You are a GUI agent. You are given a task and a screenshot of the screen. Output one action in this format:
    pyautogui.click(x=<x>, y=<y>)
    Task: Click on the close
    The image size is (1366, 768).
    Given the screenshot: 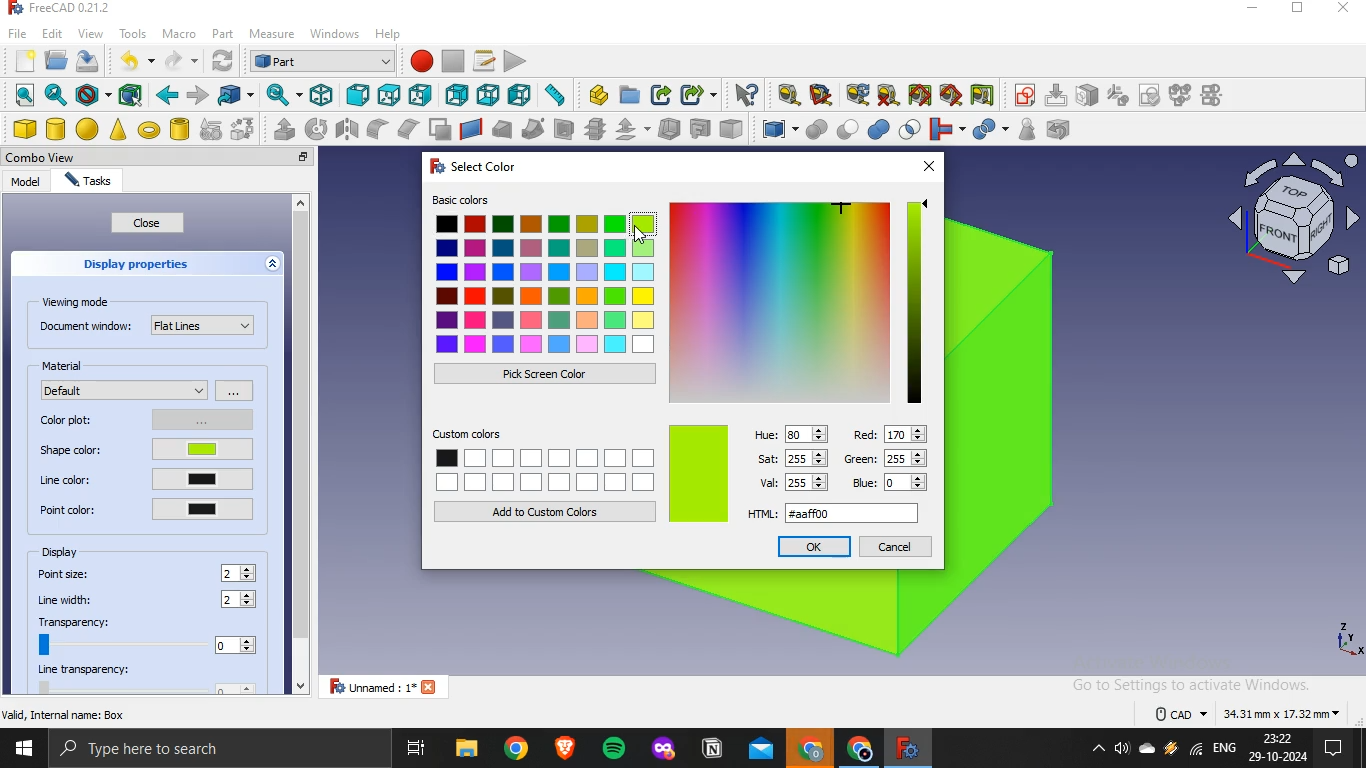 What is the action you would take?
    pyautogui.click(x=1345, y=9)
    